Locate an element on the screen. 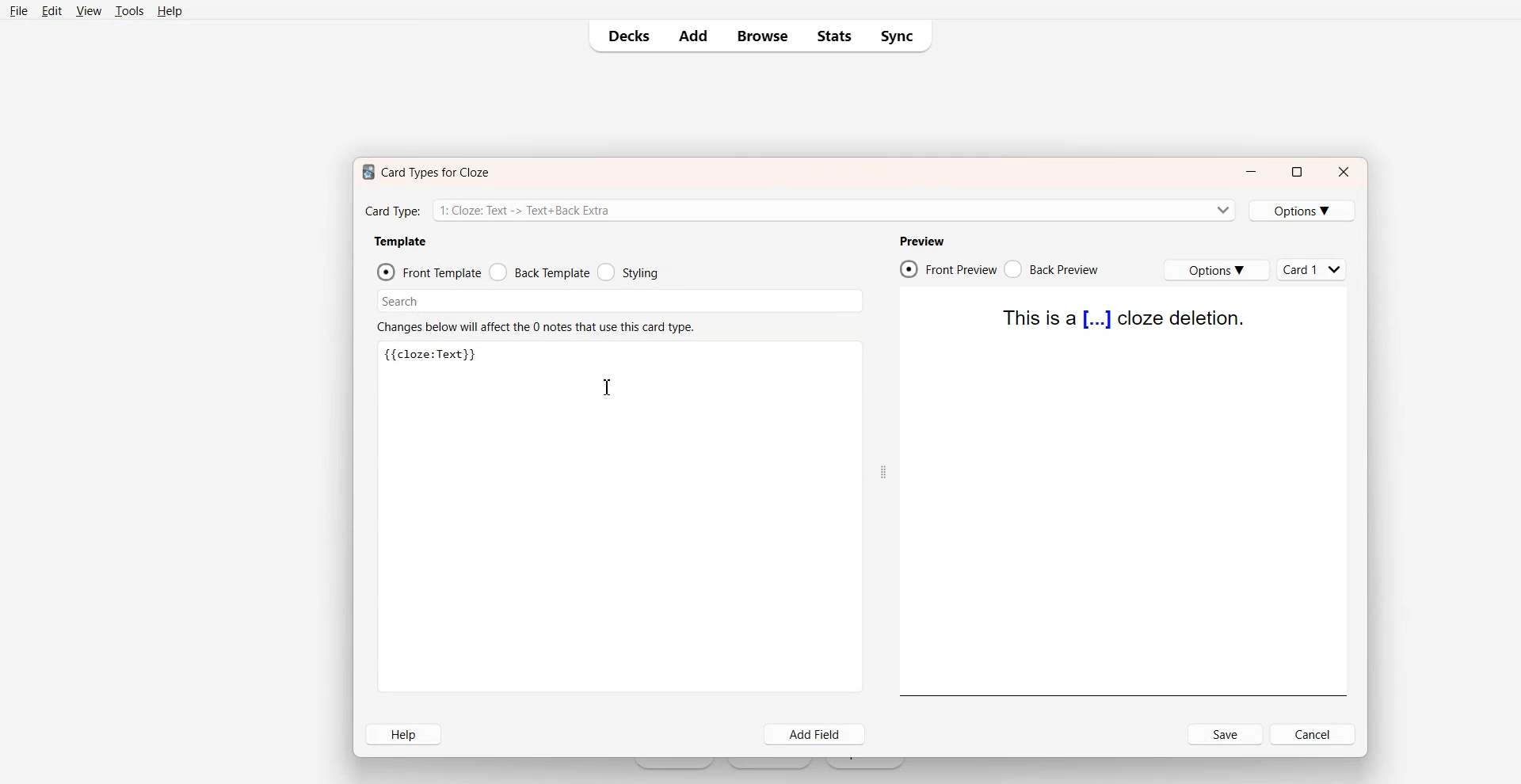 This screenshot has width=1521, height=784. Text 2 is located at coordinates (535, 325).